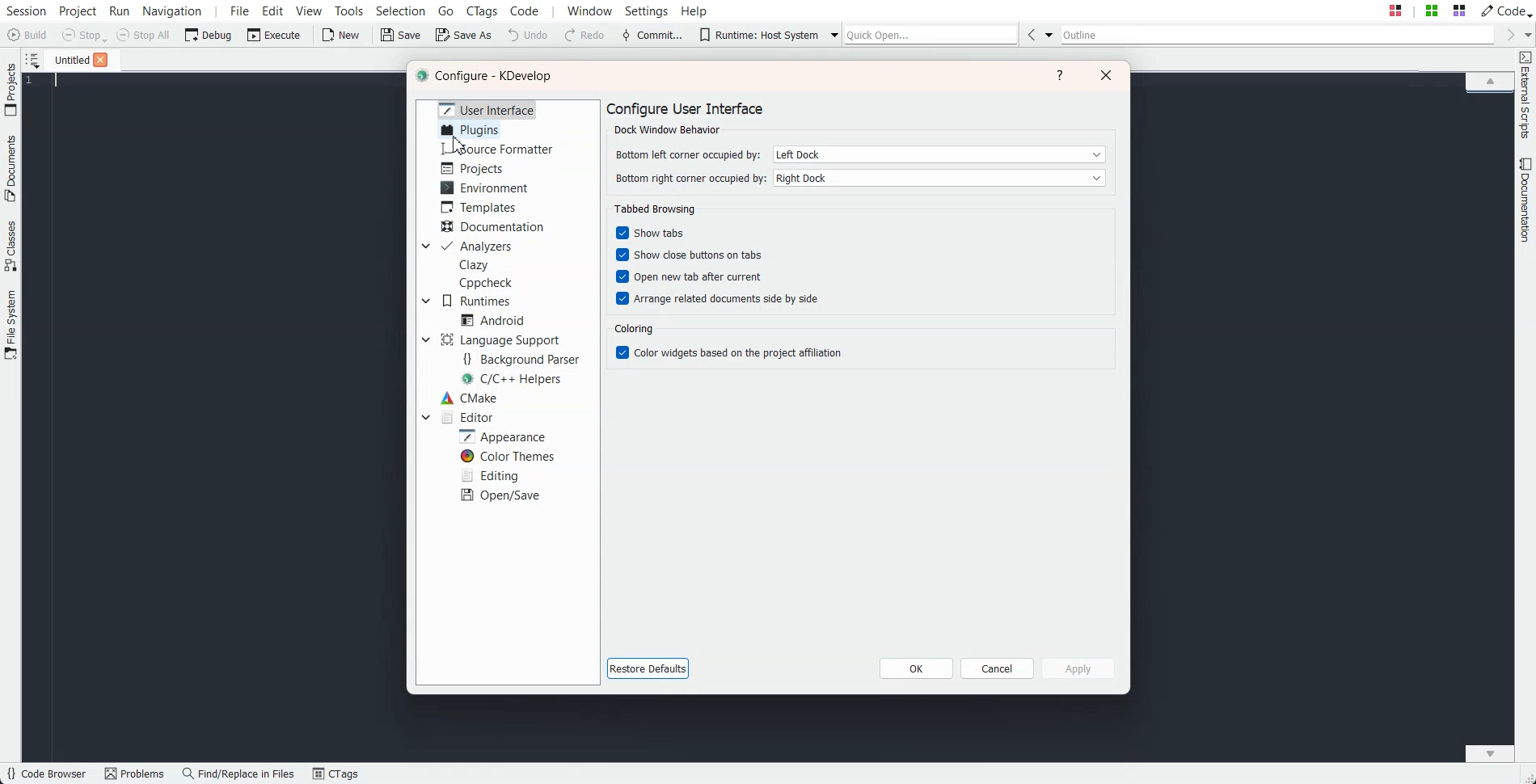  Describe the element at coordinates (686, 118) in the screenshot. I see `Text` at that location.